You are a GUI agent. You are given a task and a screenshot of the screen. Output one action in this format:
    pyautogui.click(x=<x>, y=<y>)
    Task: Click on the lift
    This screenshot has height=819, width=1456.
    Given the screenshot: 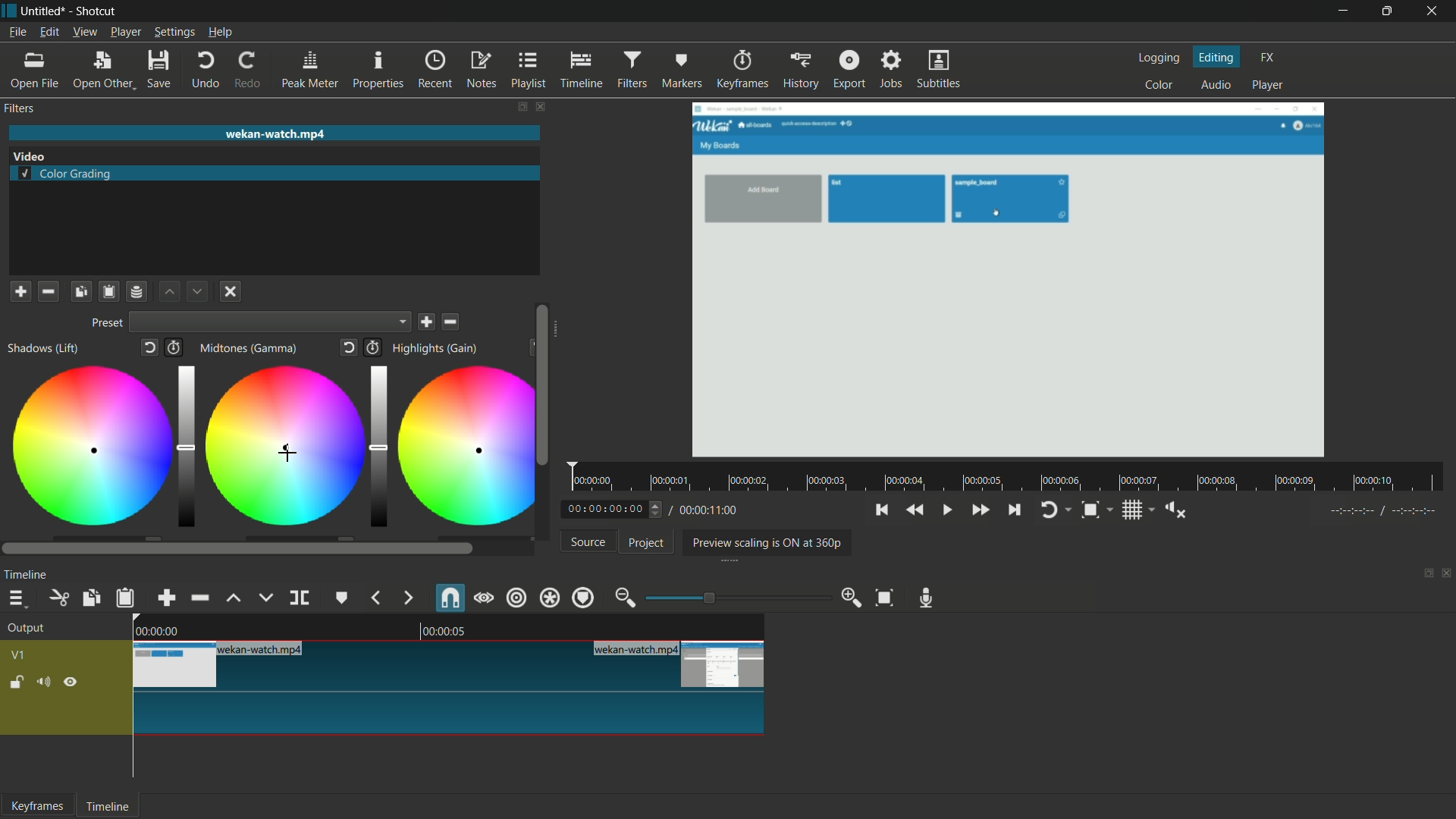 What is the action you would take?
    pyautogui.click(x=234, y=598)
    